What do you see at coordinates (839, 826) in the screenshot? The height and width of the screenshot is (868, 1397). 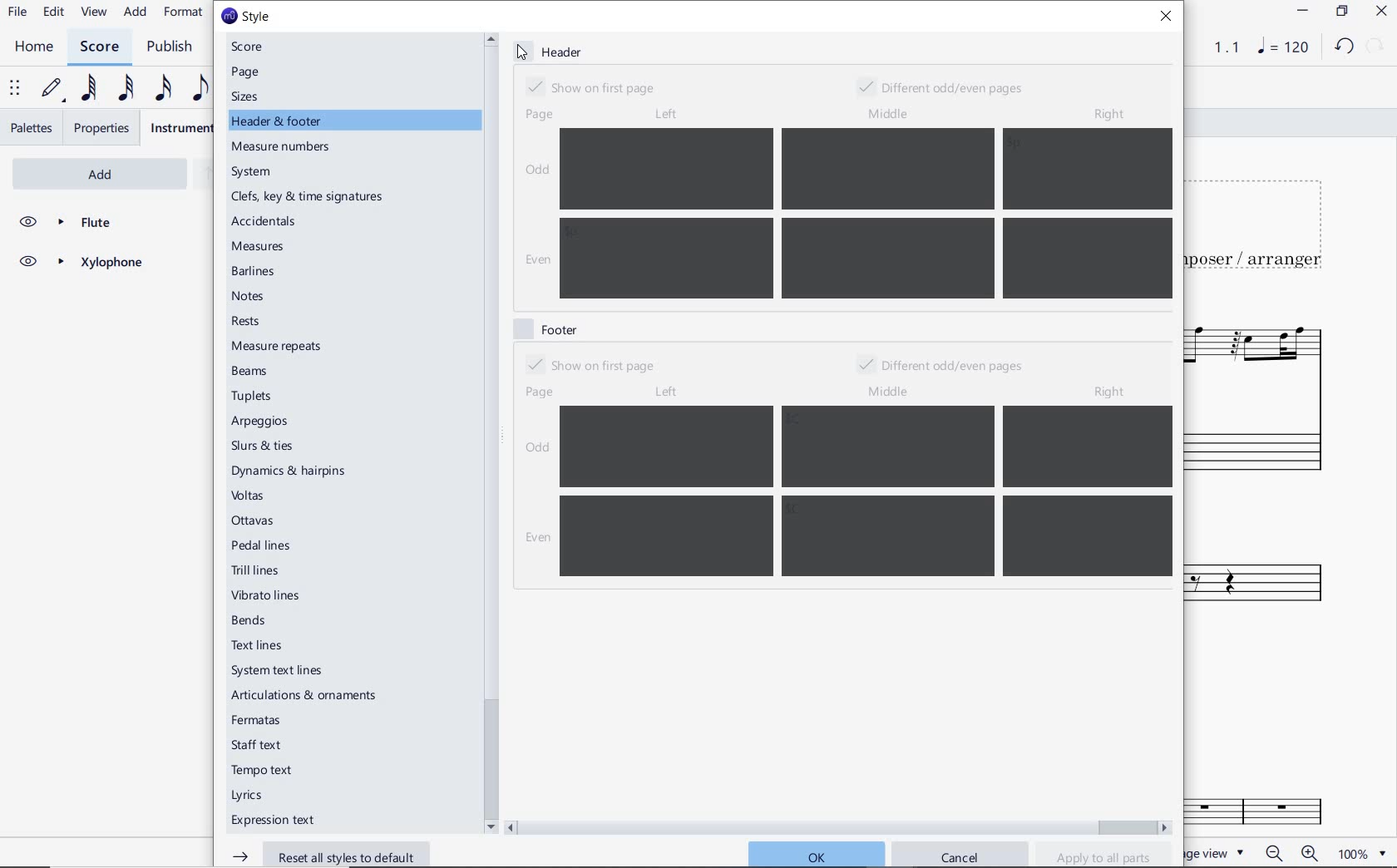 I see `scrollbar` at bounding box center [839, 826].